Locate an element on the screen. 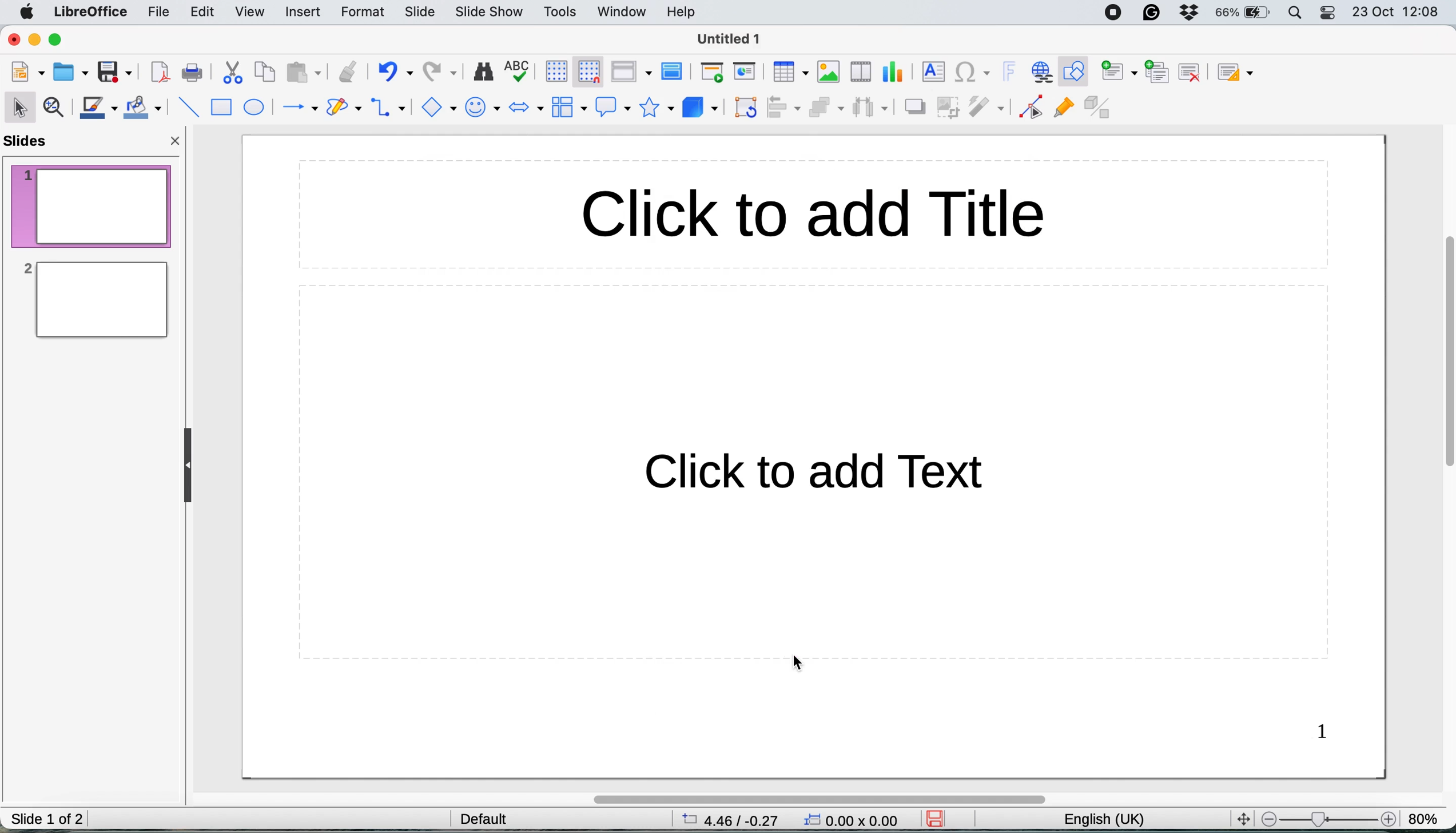 The width and height of the screenshot is (1456, 833). show draw functions is located at coordinates (1077, 72).